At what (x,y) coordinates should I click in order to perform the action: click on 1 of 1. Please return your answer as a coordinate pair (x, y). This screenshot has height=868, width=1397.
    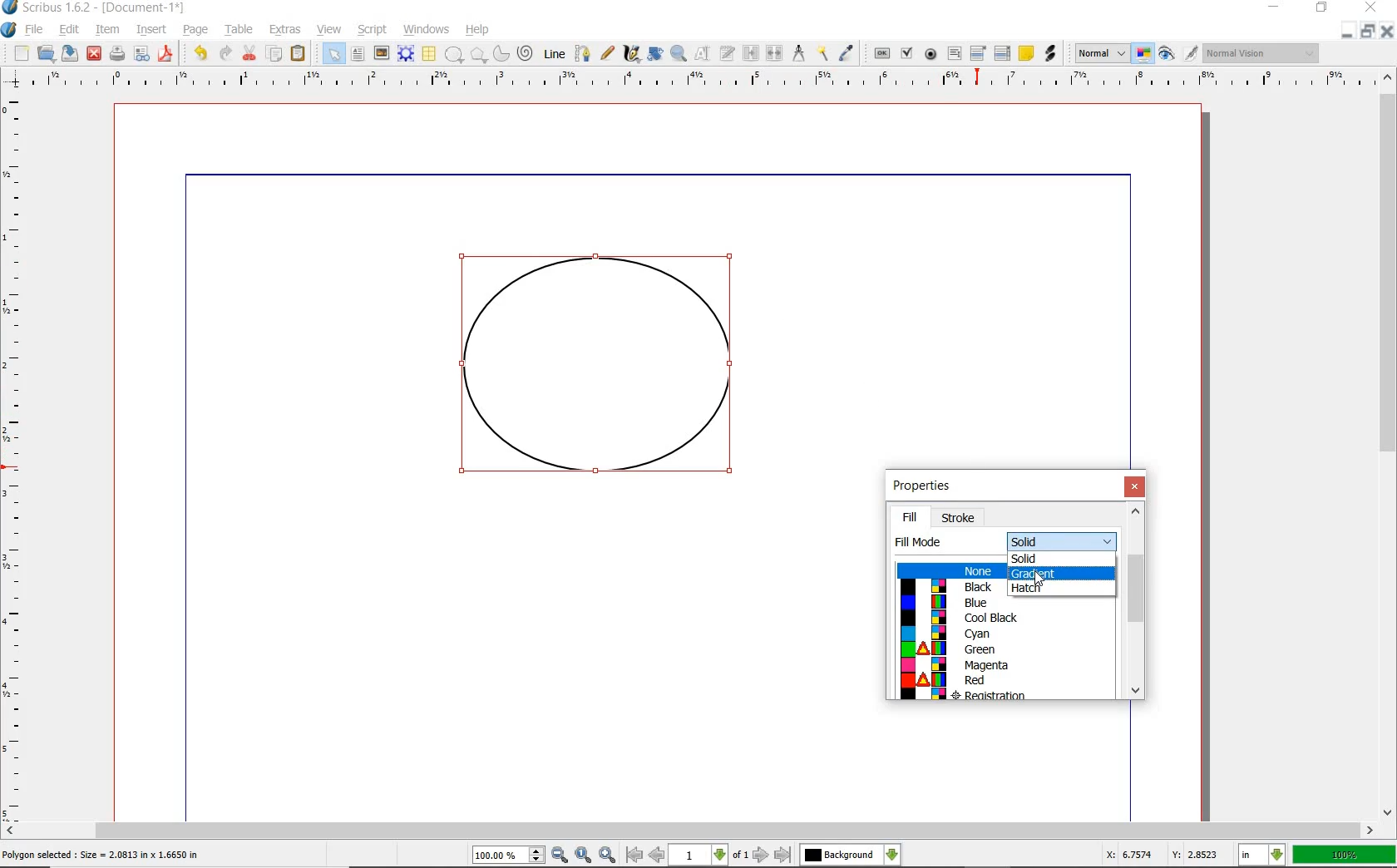
    Looking at the image, I should click on (710, 855).